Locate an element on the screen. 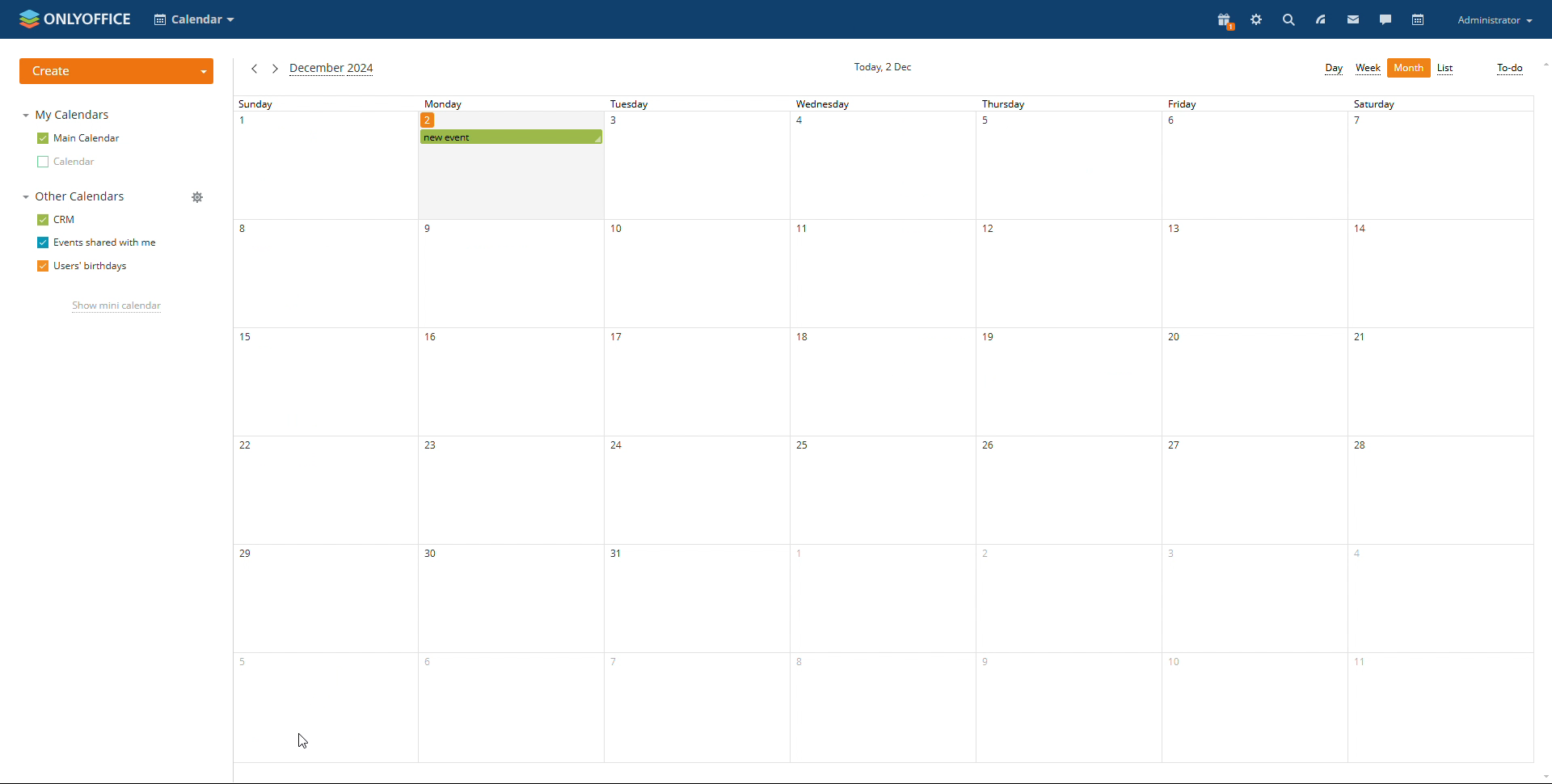  thursday is located at coordinates (507, 432).